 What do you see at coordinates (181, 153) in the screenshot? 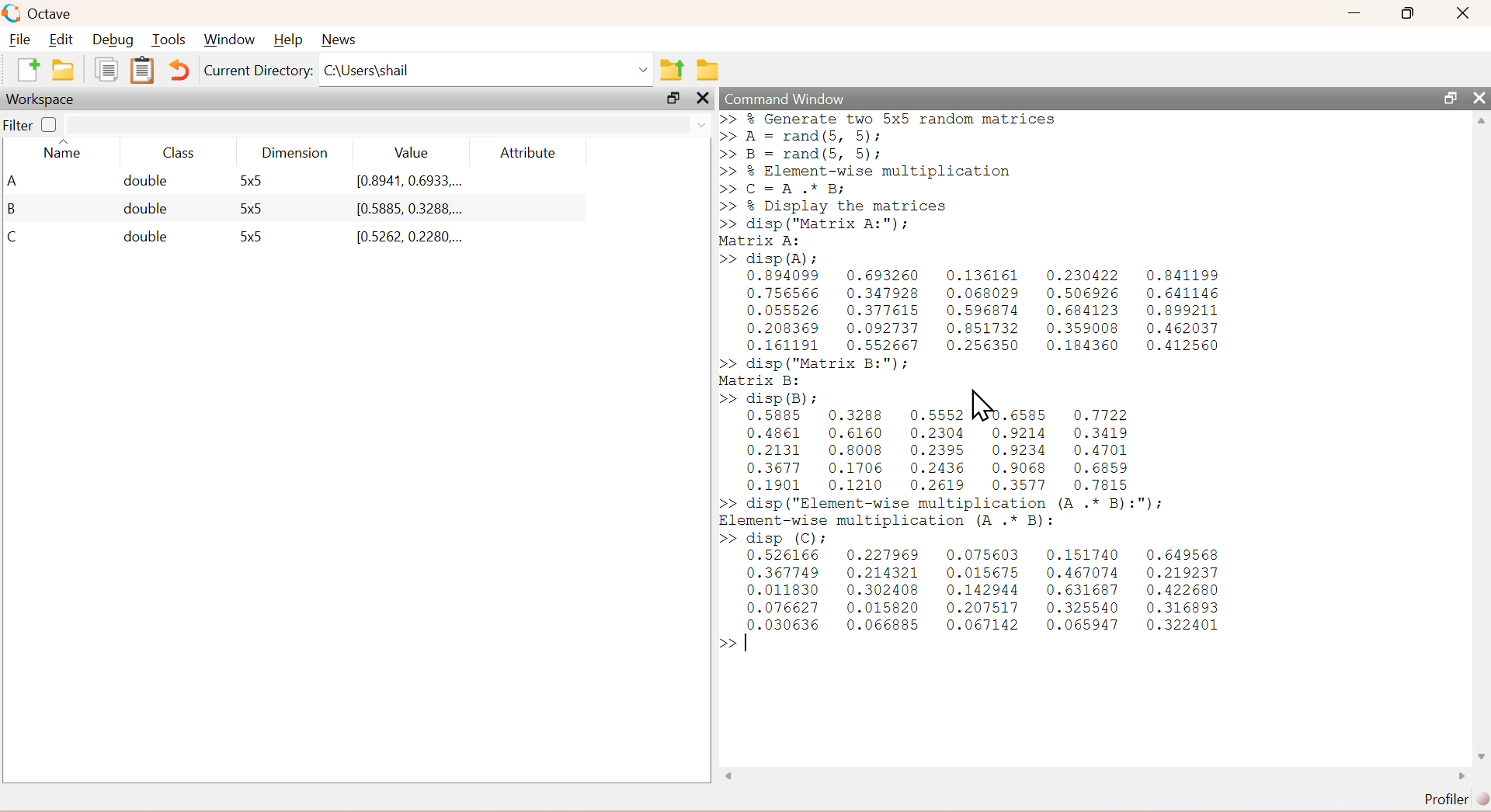
I see `Class` at bounding box center [181, 153].